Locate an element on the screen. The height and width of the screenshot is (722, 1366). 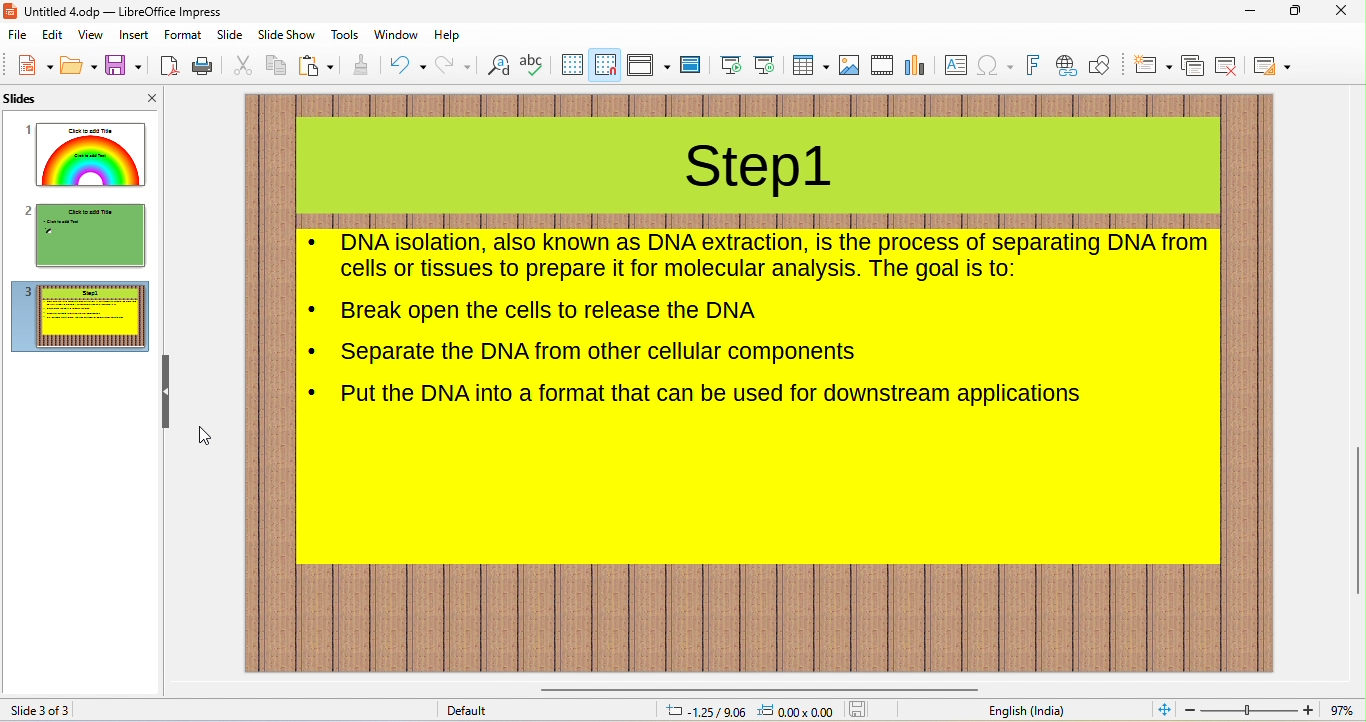
logo is located at coordinates (11, 11).